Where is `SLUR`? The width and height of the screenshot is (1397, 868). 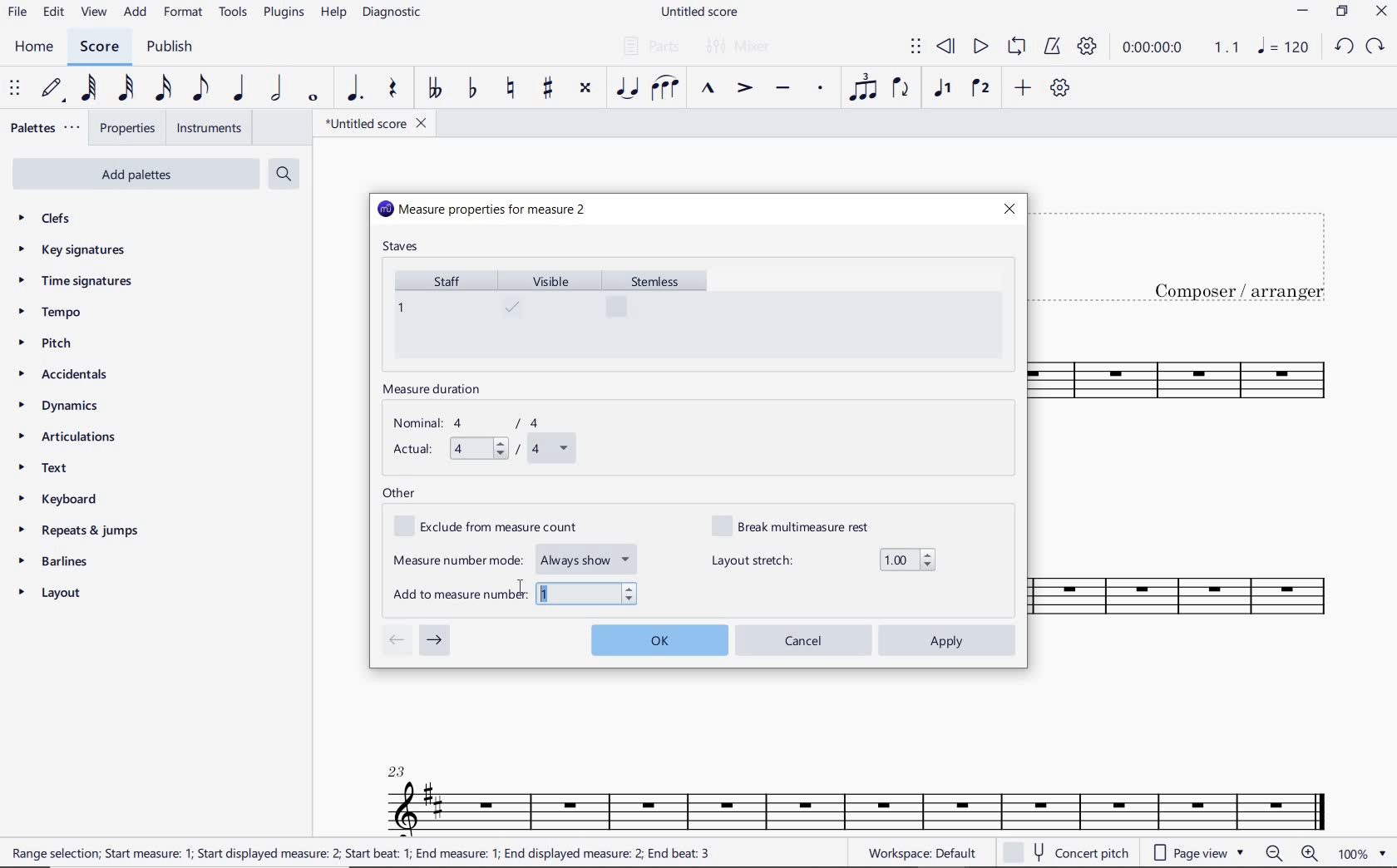
SLUR is located at coordinates (665, 90).